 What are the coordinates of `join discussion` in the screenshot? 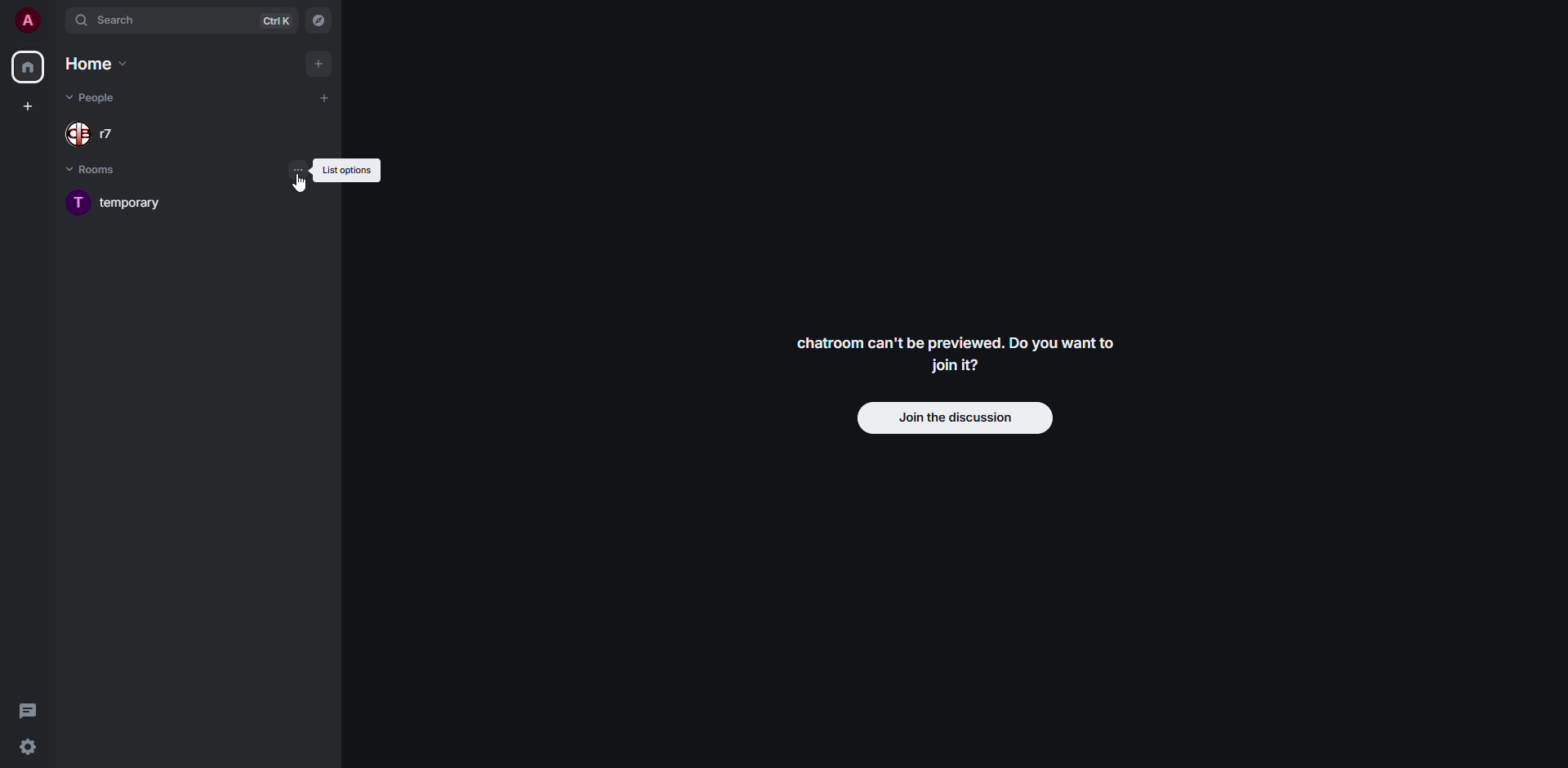 It's located at (956, 417).